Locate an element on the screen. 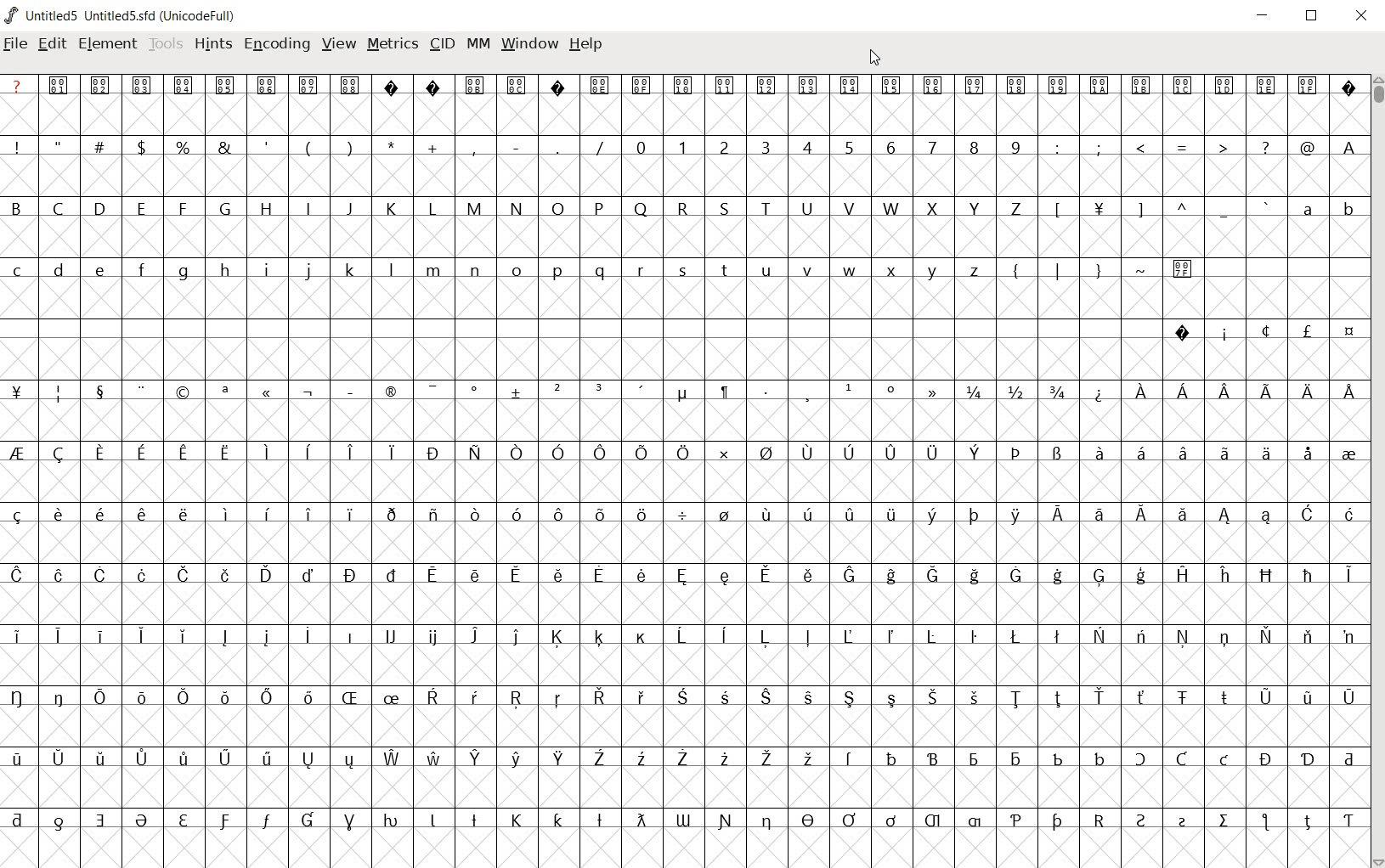 This screenshot has width=1385, height=868. Symbol is located at coordinates (852, 86).